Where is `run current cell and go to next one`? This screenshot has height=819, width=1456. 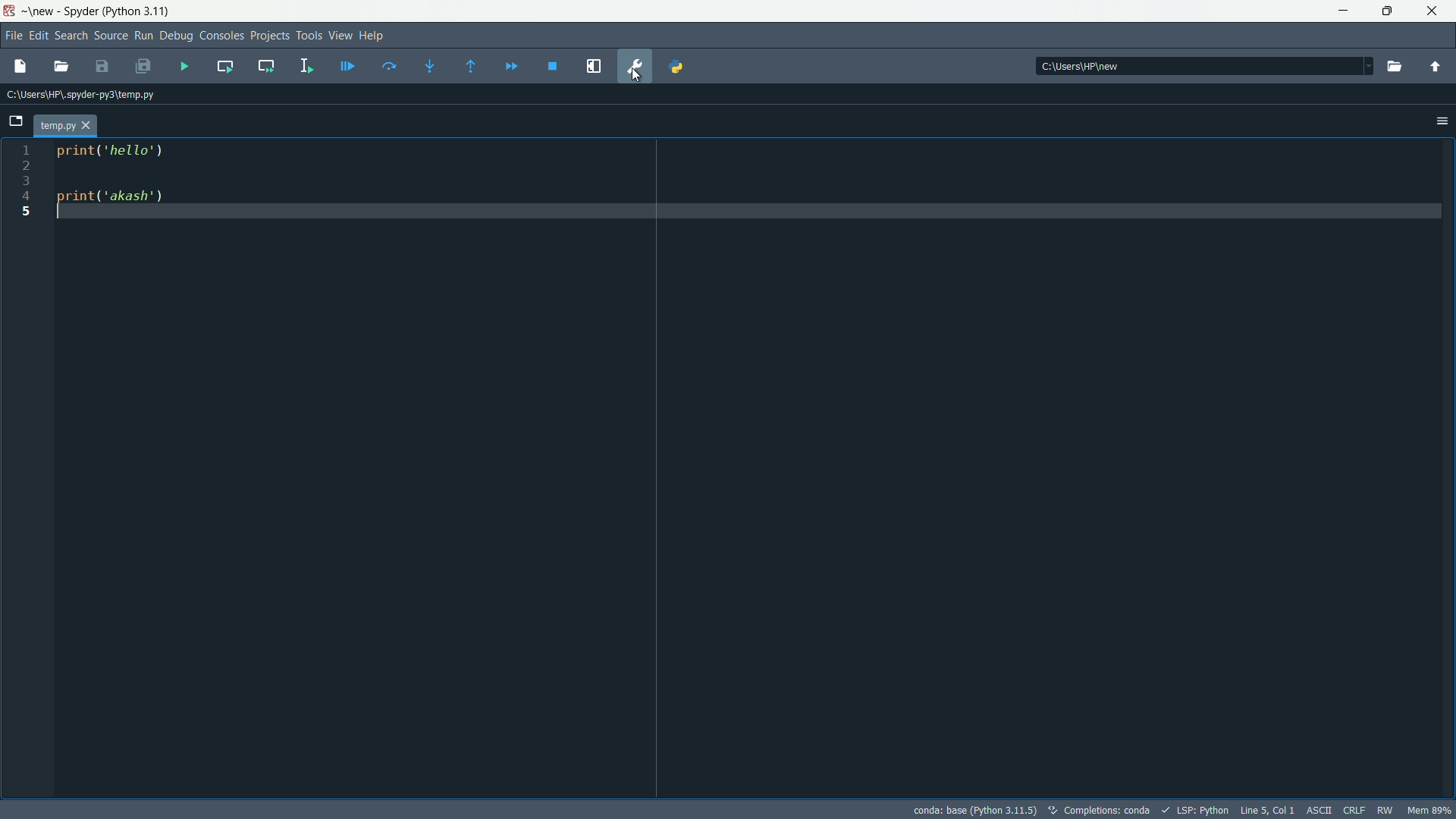
run current cell and go to next one is located at coordinates (266, 65).